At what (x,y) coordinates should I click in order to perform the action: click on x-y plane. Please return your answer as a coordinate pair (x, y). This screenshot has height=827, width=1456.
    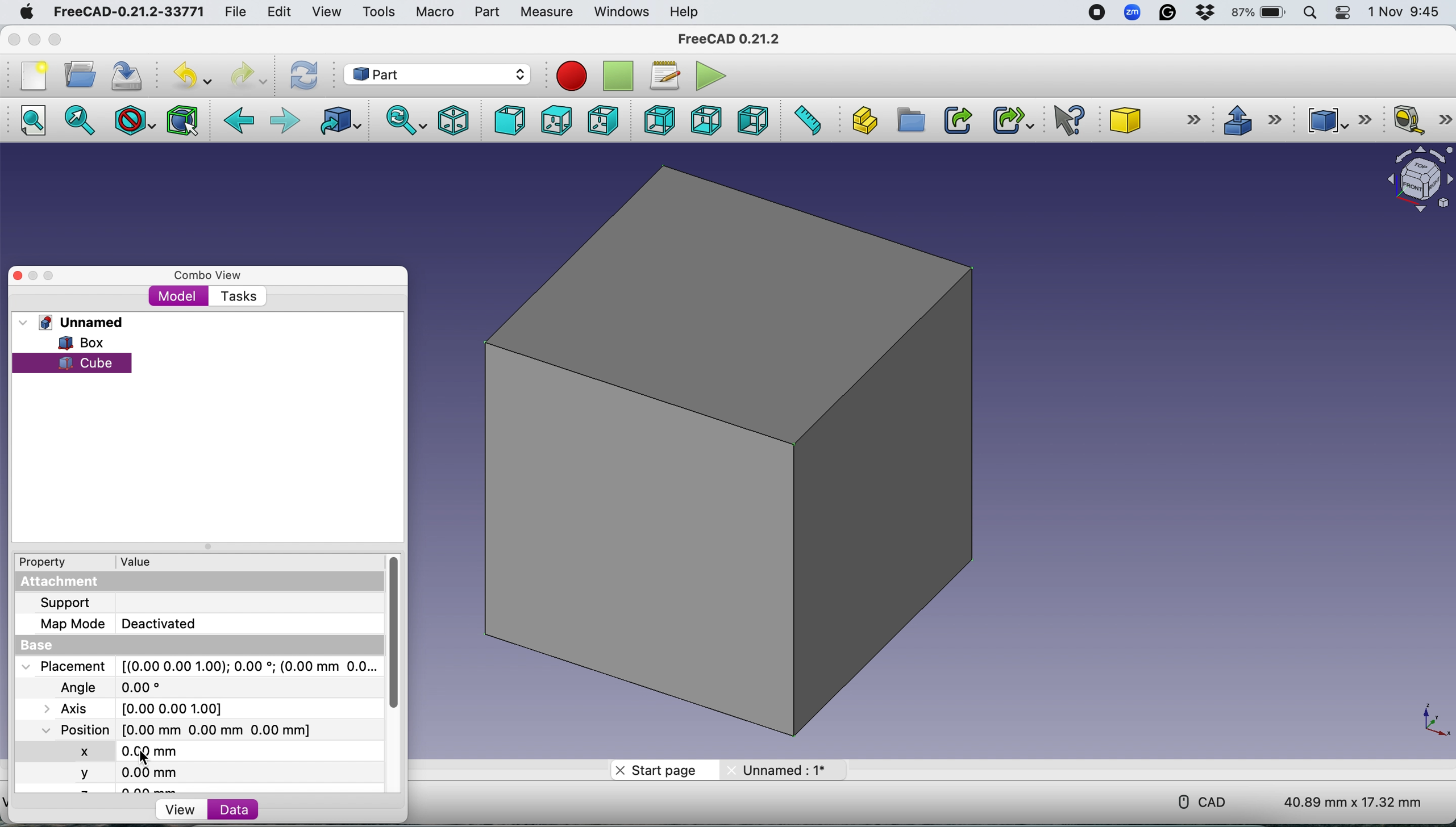
    Looking at the image, I should click on (1433, 719).